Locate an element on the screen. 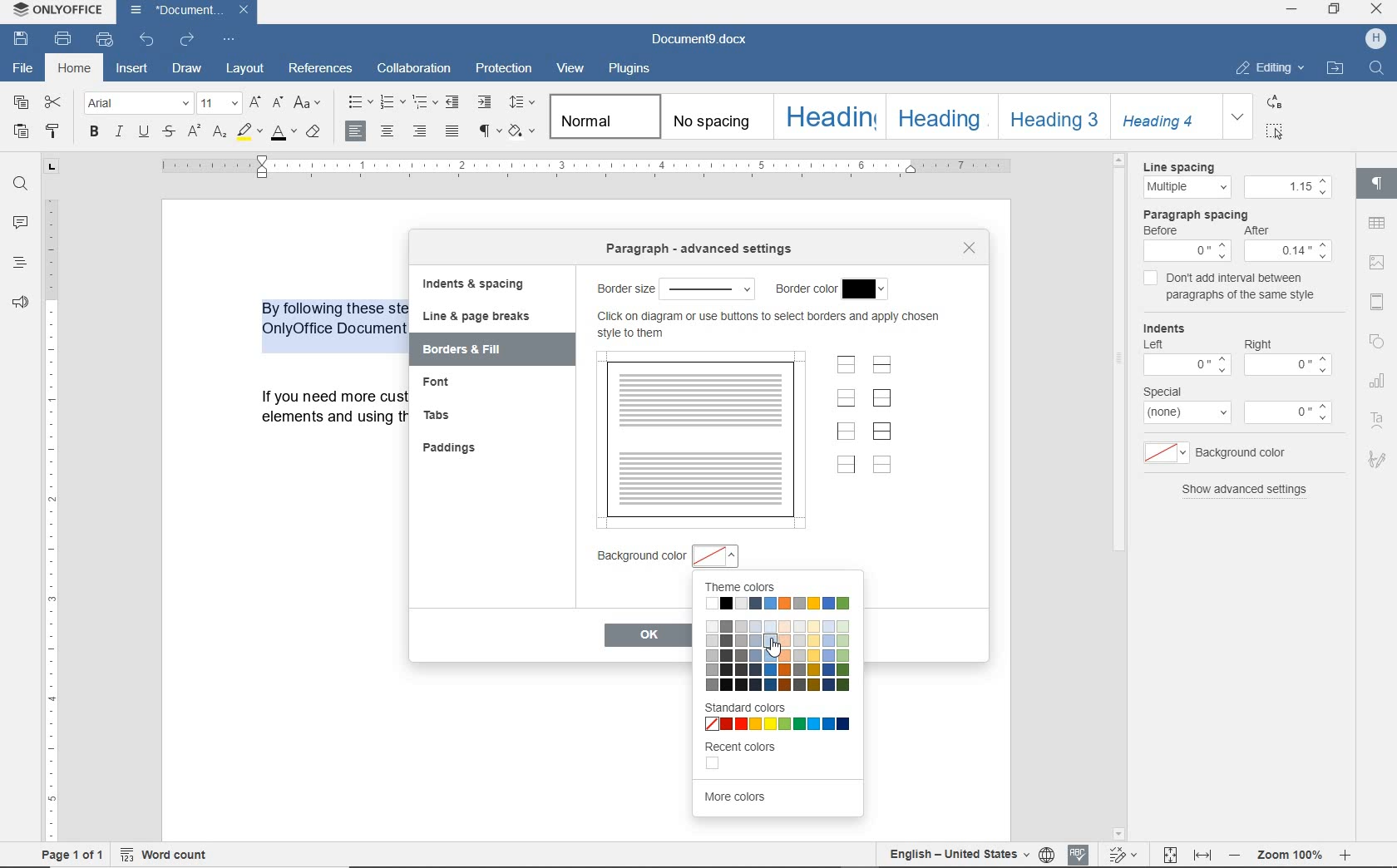 This screenshot has height=868, width=1397. more info is located at coordinates (766, 326).